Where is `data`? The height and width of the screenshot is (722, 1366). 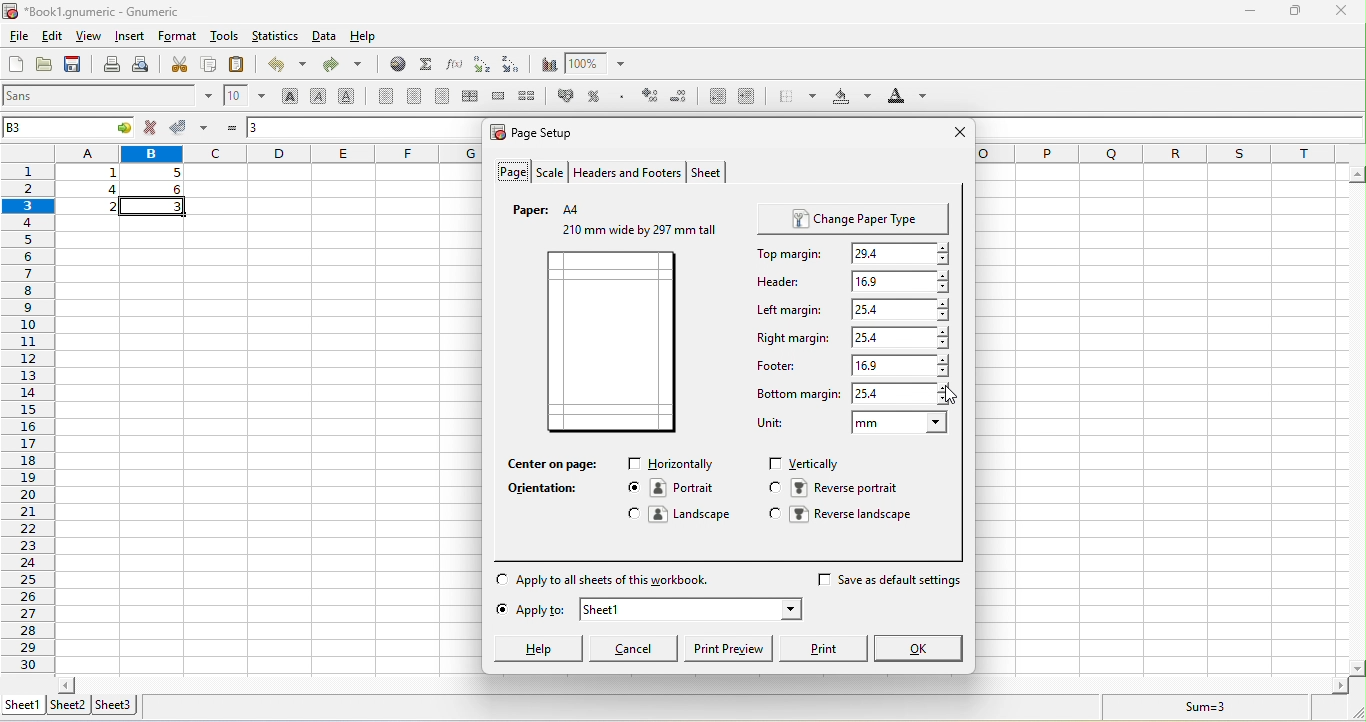
data is located at coordinates (327, 38).